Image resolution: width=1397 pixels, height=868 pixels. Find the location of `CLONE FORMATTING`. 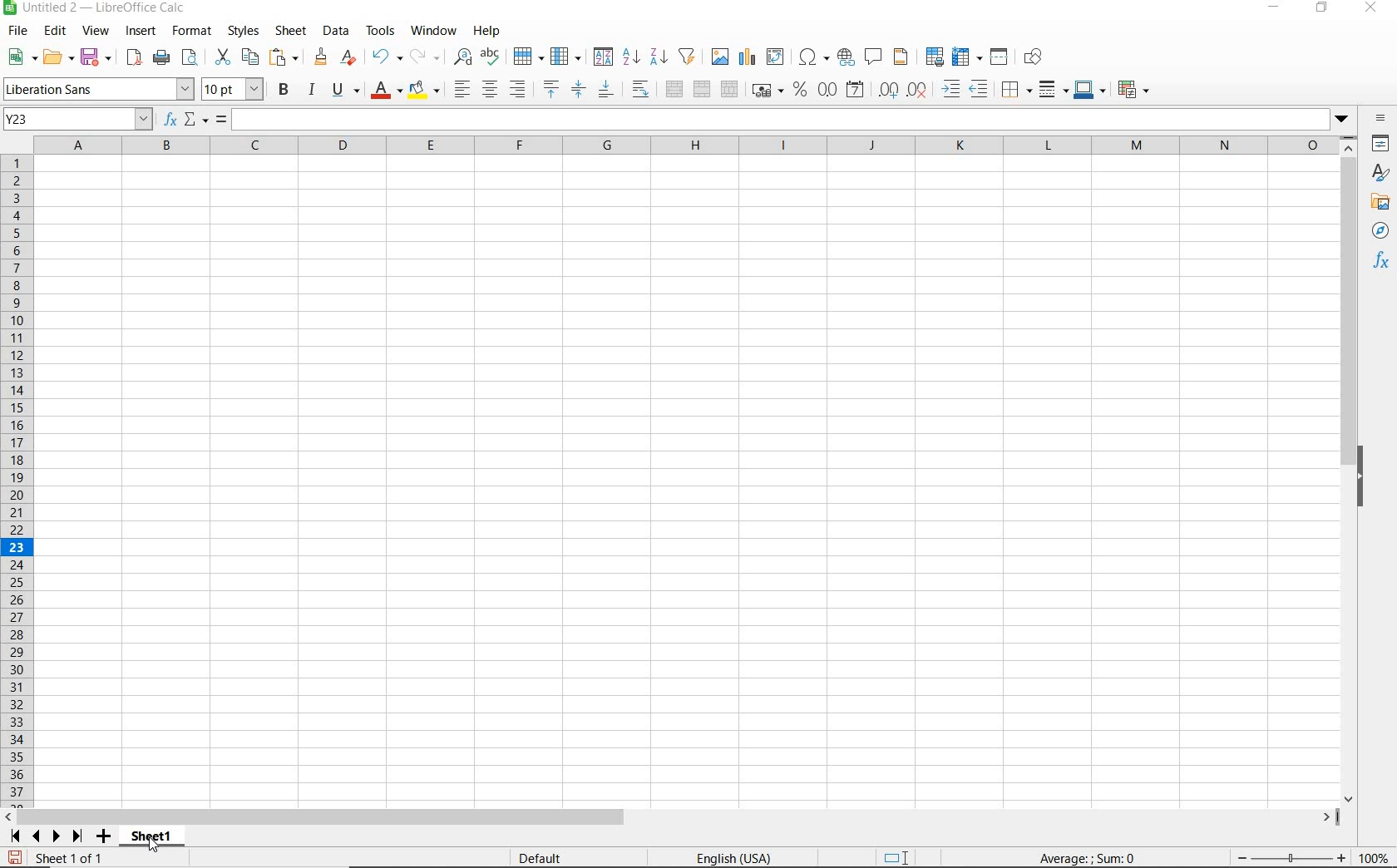

CLONE FORMATTING is located at coordinates (322, 57).